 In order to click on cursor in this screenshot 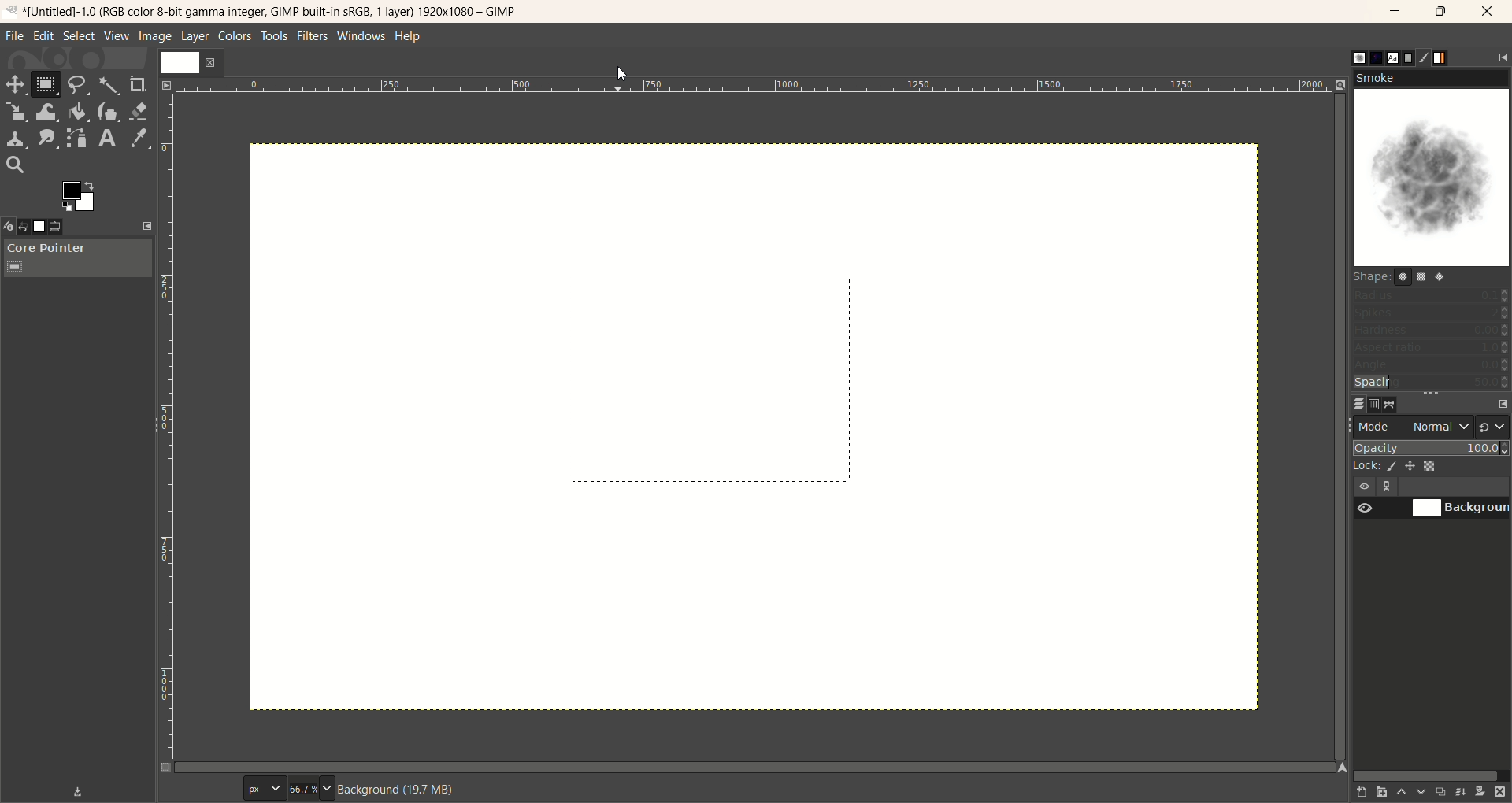, I will do `click(622, 75)`.